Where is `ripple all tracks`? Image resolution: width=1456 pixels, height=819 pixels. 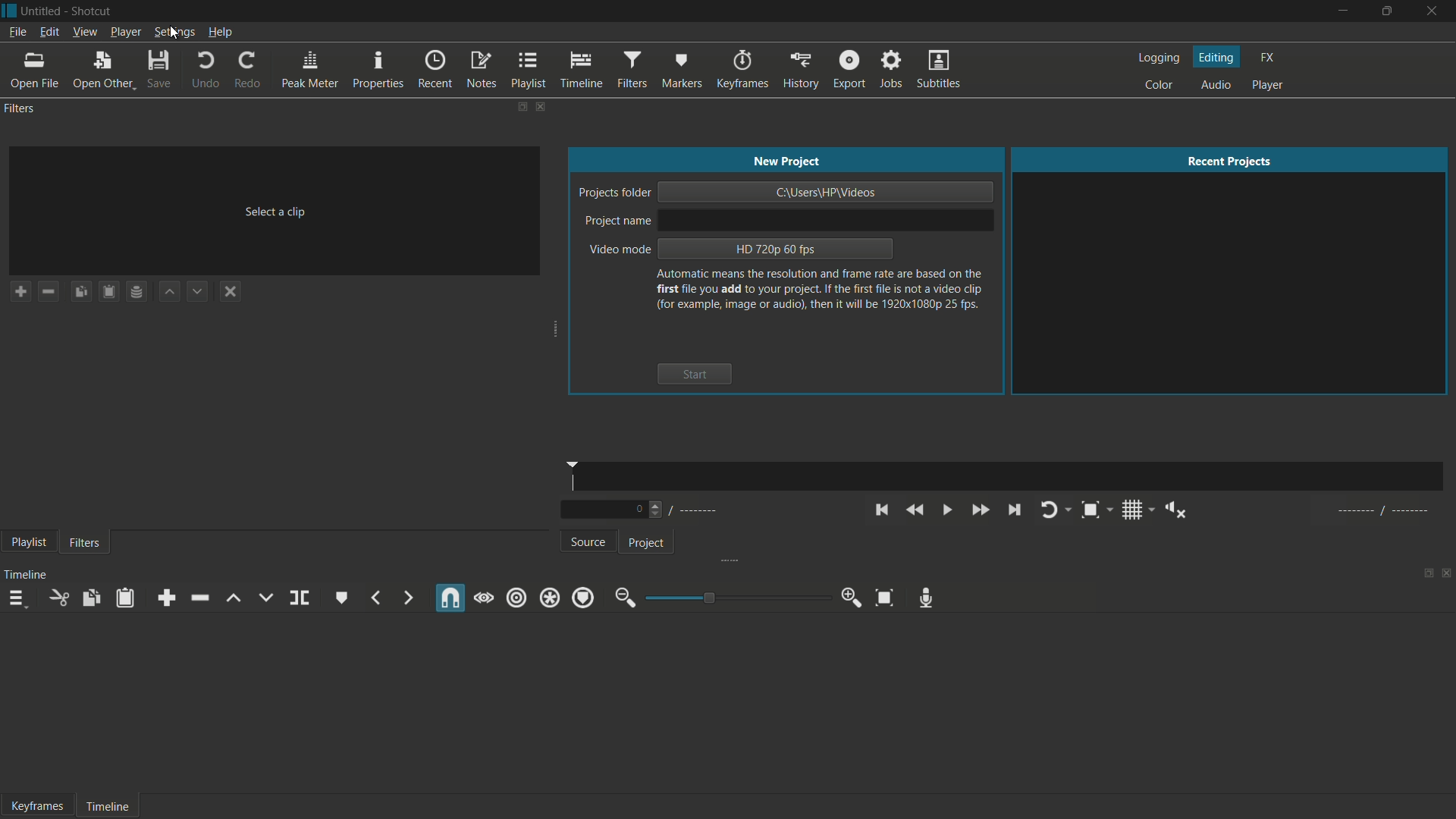
ripple all tracks is located at coordinates (548, 598).